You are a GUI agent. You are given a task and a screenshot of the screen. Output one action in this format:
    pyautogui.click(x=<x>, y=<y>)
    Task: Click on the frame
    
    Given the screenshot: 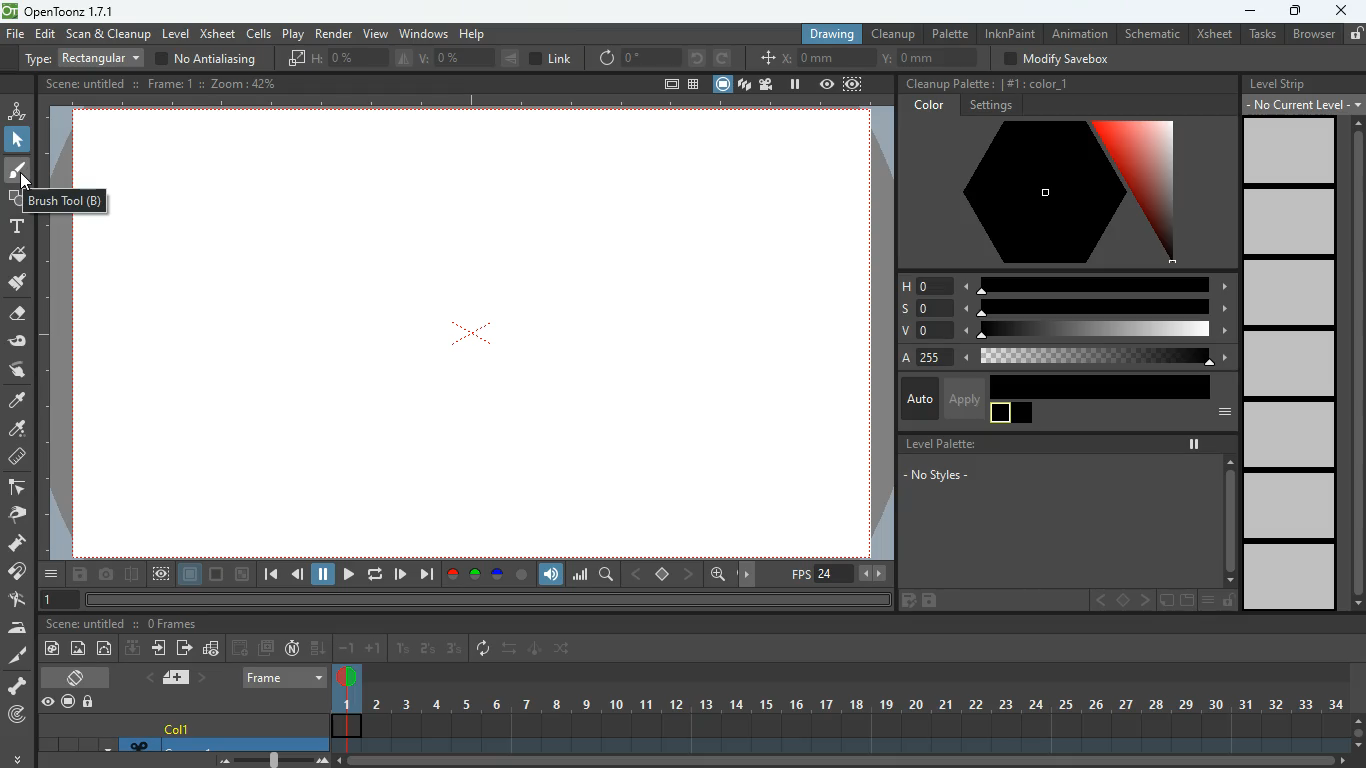 What is the action you would take?
    pyautogui.click(x=854, y=84)
    